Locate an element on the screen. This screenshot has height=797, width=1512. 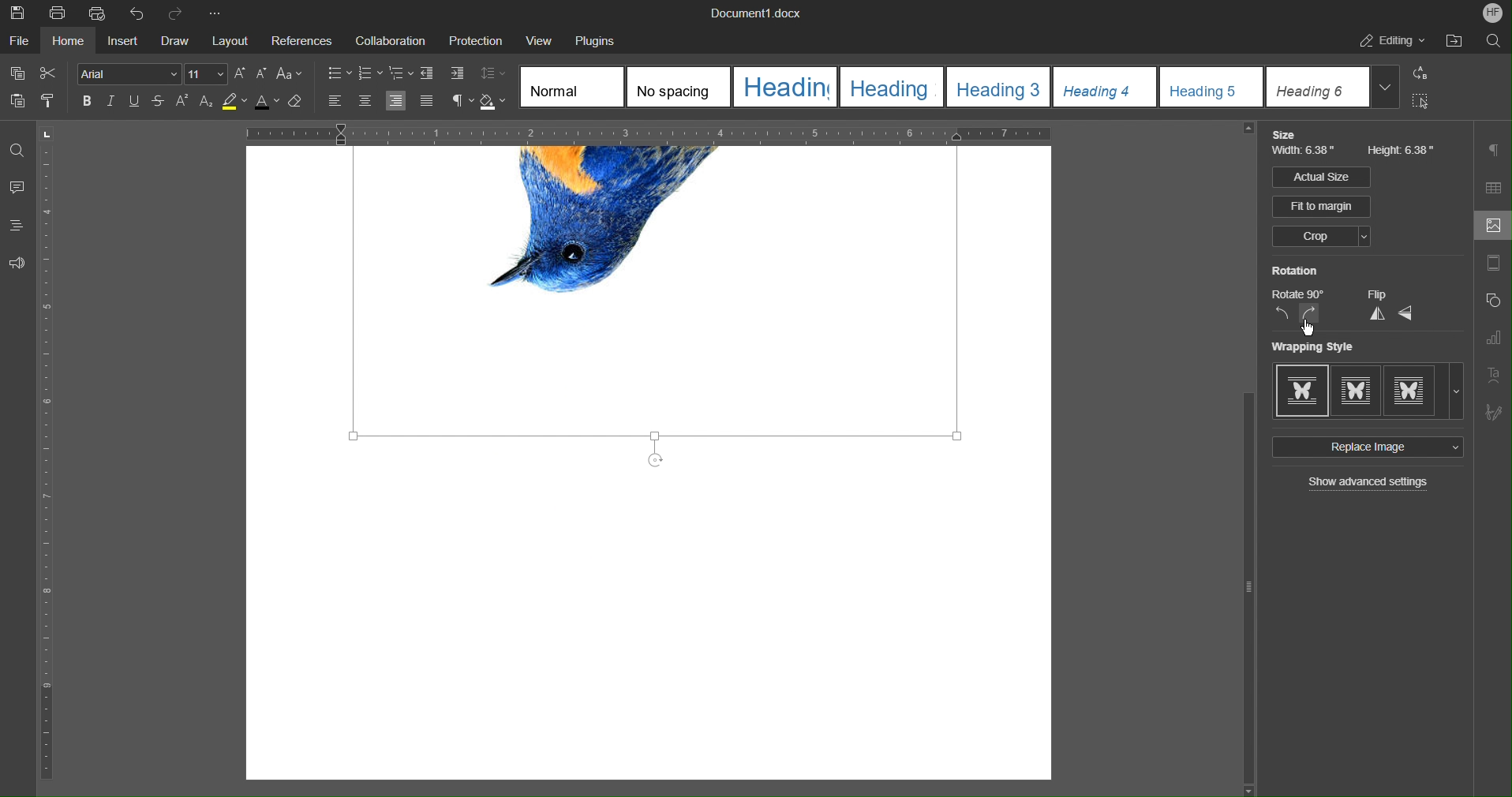
Table is located at coordinates (1493, 186).